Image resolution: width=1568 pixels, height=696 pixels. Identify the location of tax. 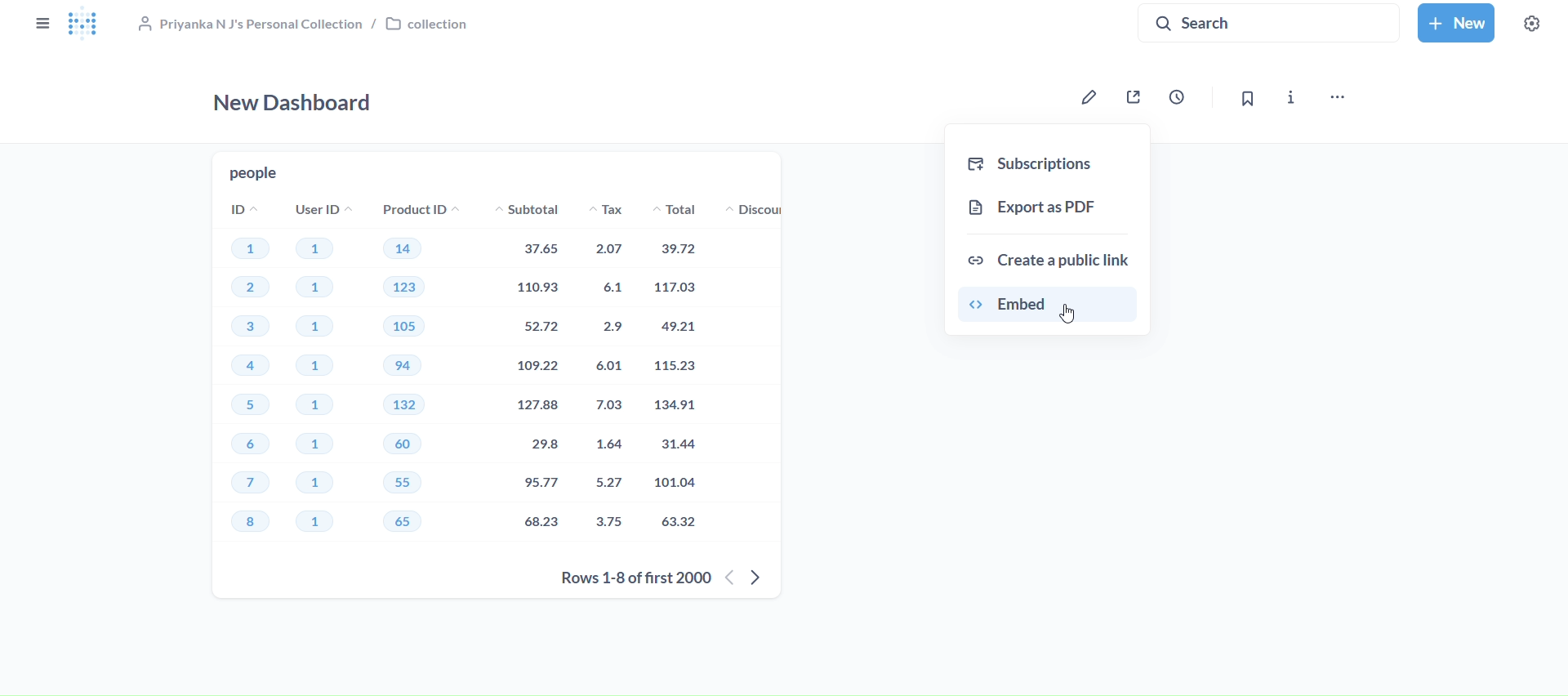
(608, 373).